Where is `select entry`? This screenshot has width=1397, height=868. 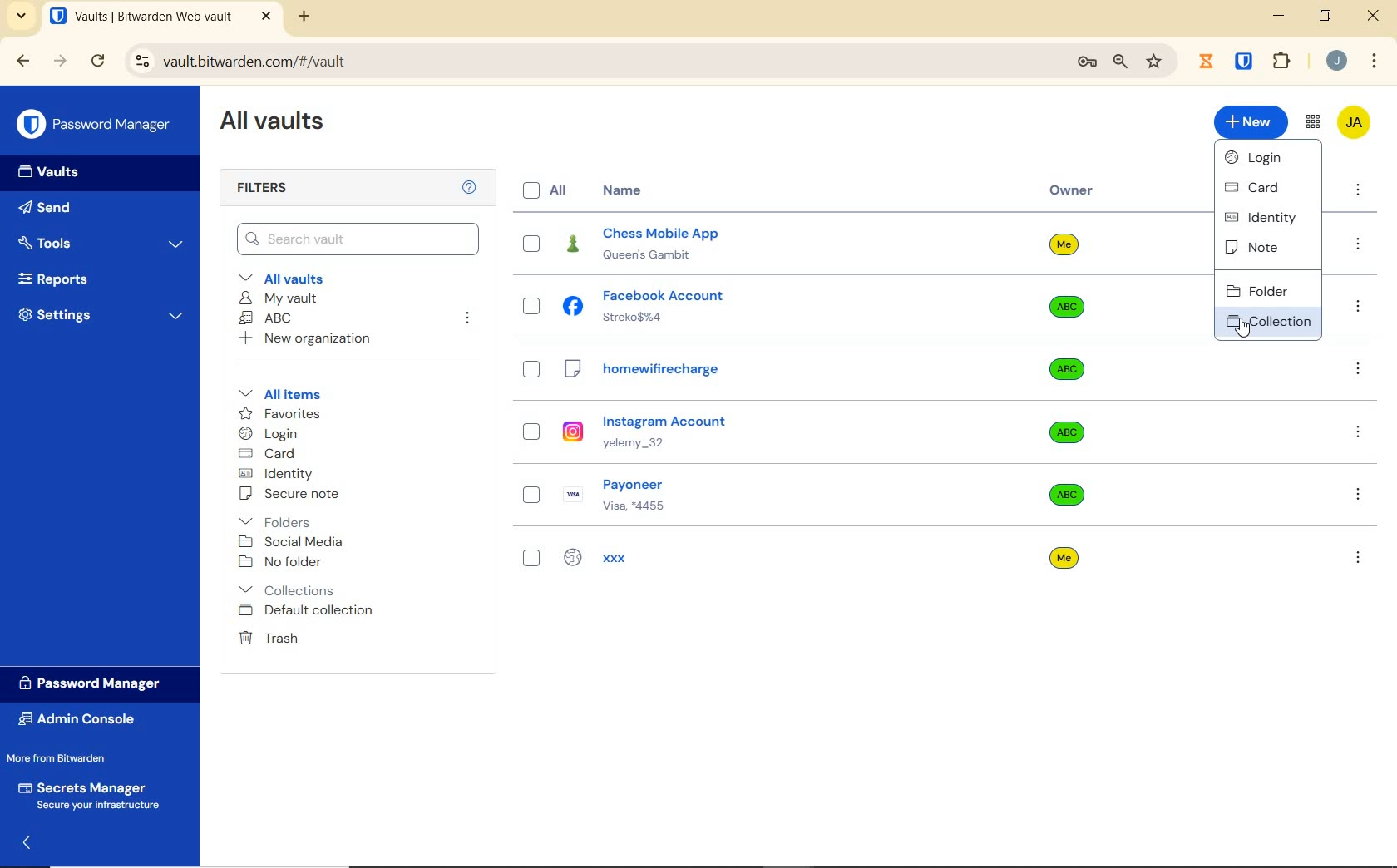 select entry is located at coordinates (531, 431).